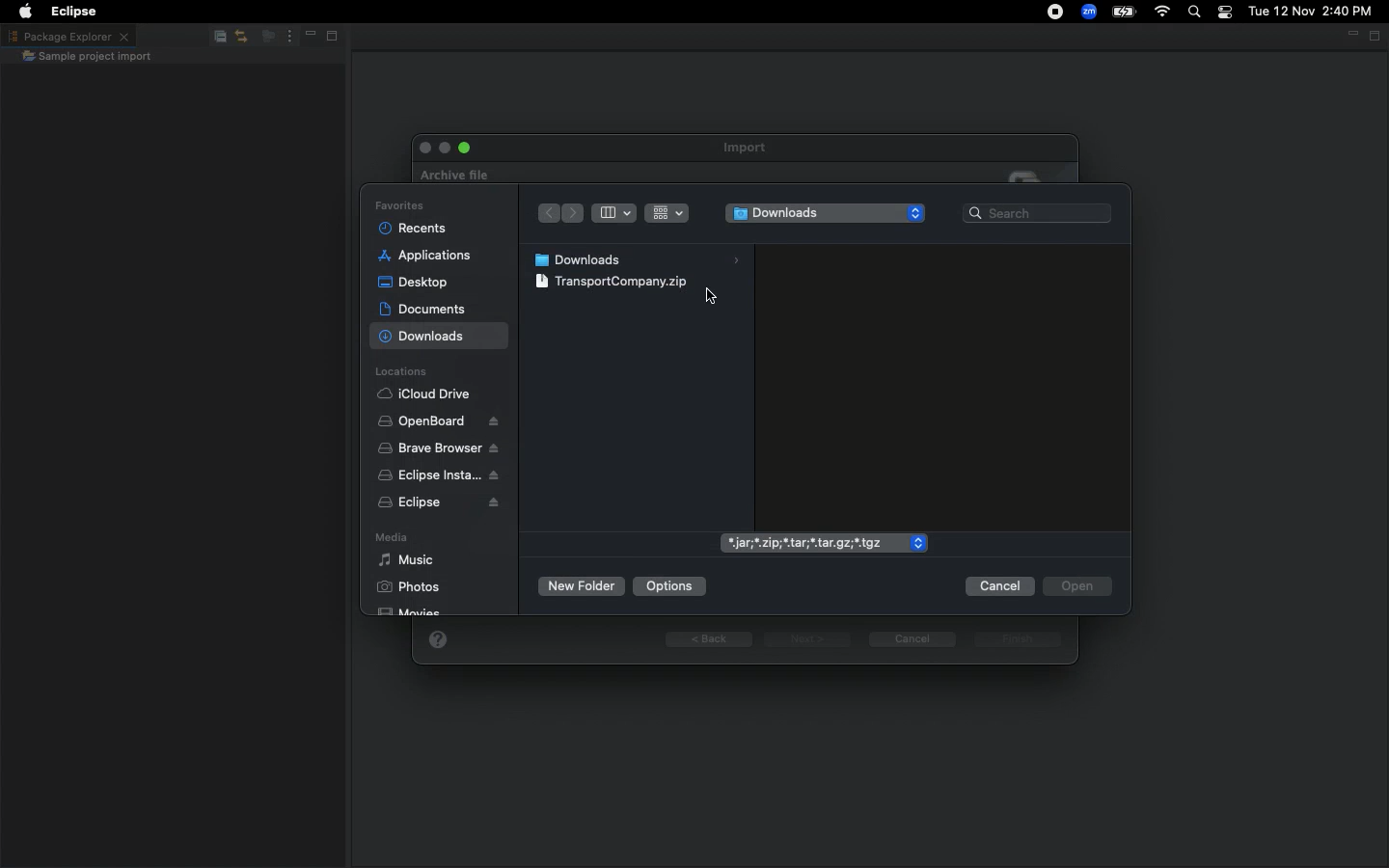  Describe the element at coordinates (394, 539) in the screenshot. I see `Media` at that location.